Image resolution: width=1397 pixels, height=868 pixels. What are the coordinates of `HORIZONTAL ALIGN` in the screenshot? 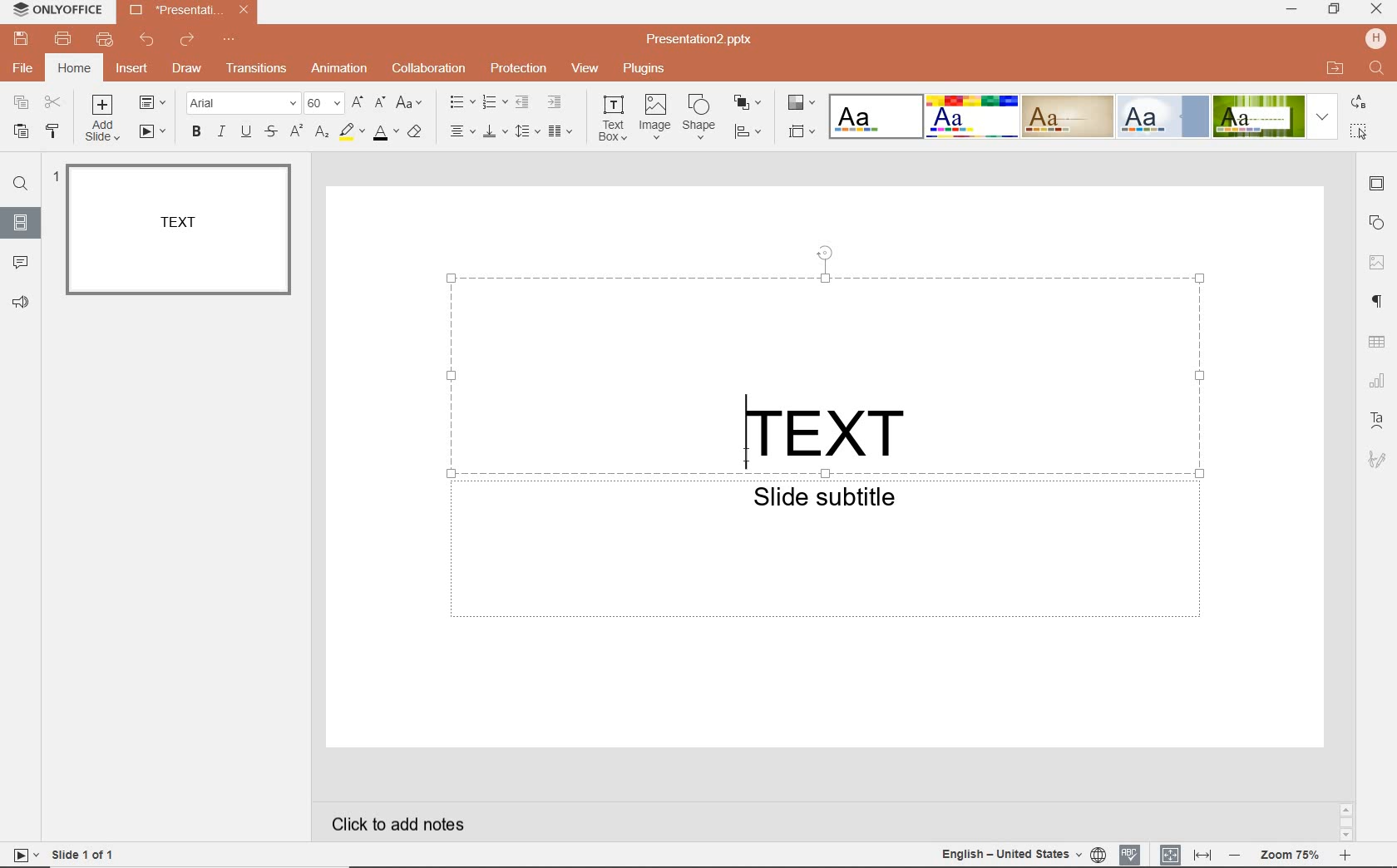 It's located at (462, 132).